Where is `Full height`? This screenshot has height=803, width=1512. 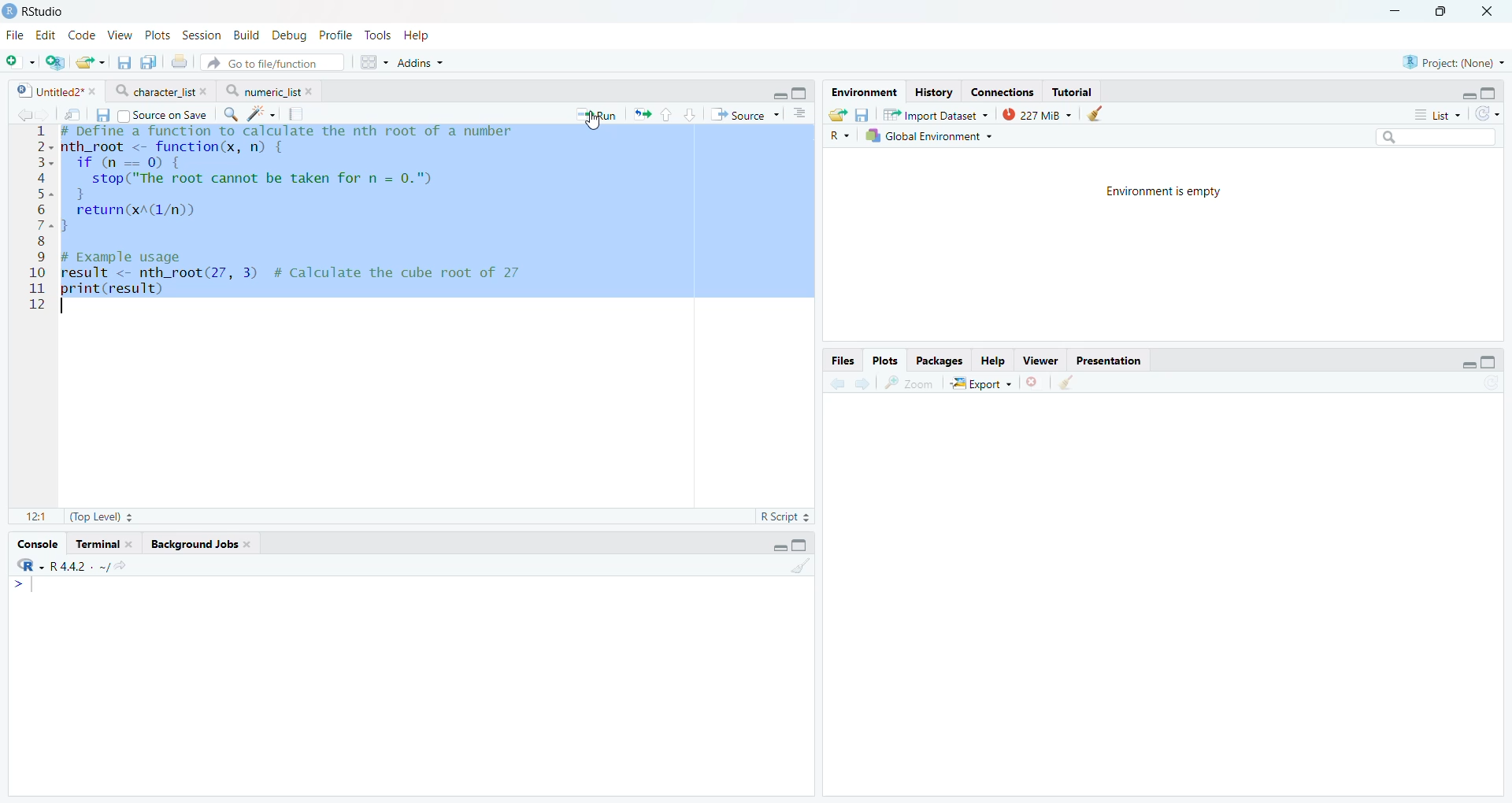
Full height is located at coordinates (1490, 361).